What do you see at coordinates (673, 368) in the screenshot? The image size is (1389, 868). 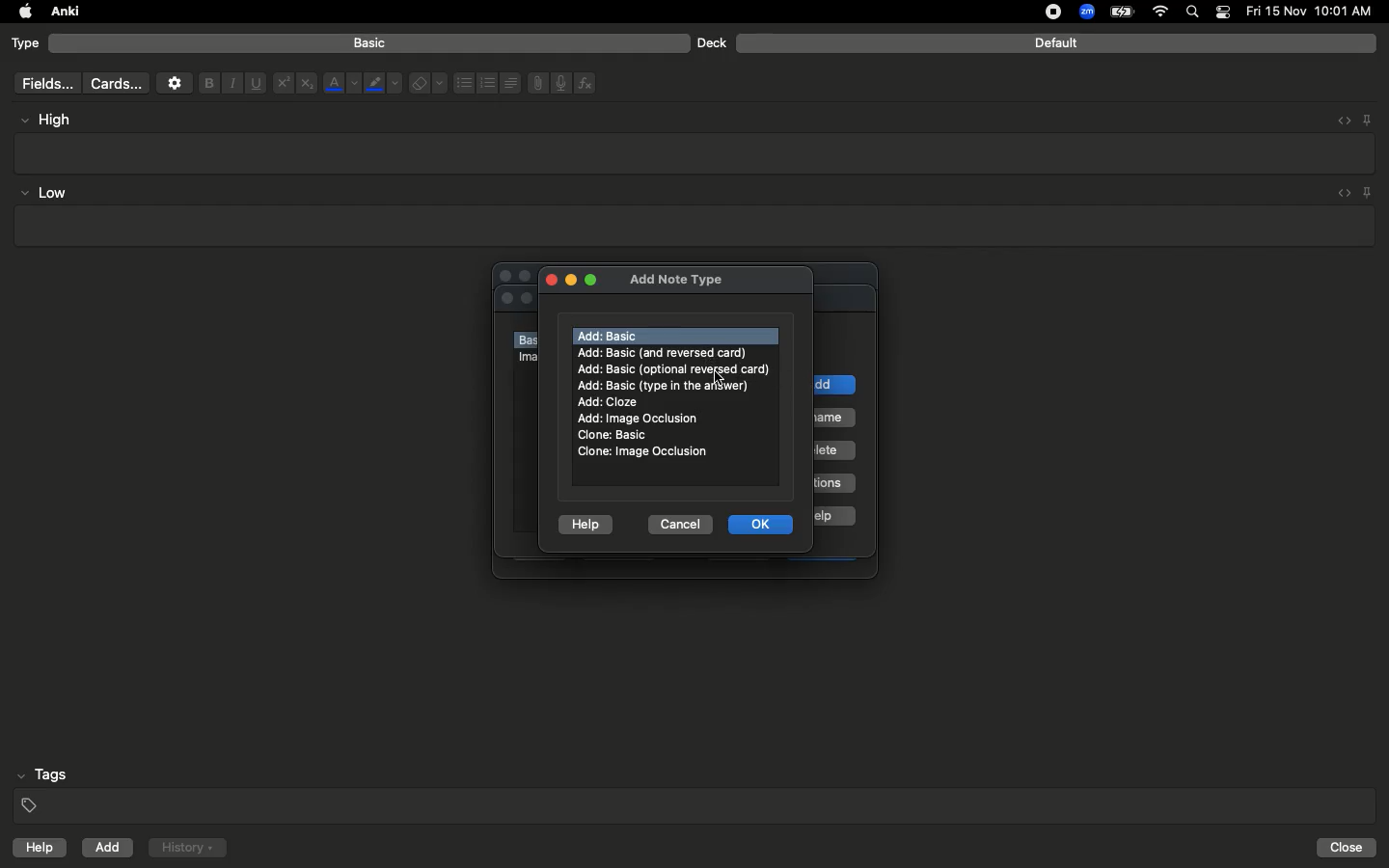 I see `Add basic optional reversed card` at bounding box center [673, 368].